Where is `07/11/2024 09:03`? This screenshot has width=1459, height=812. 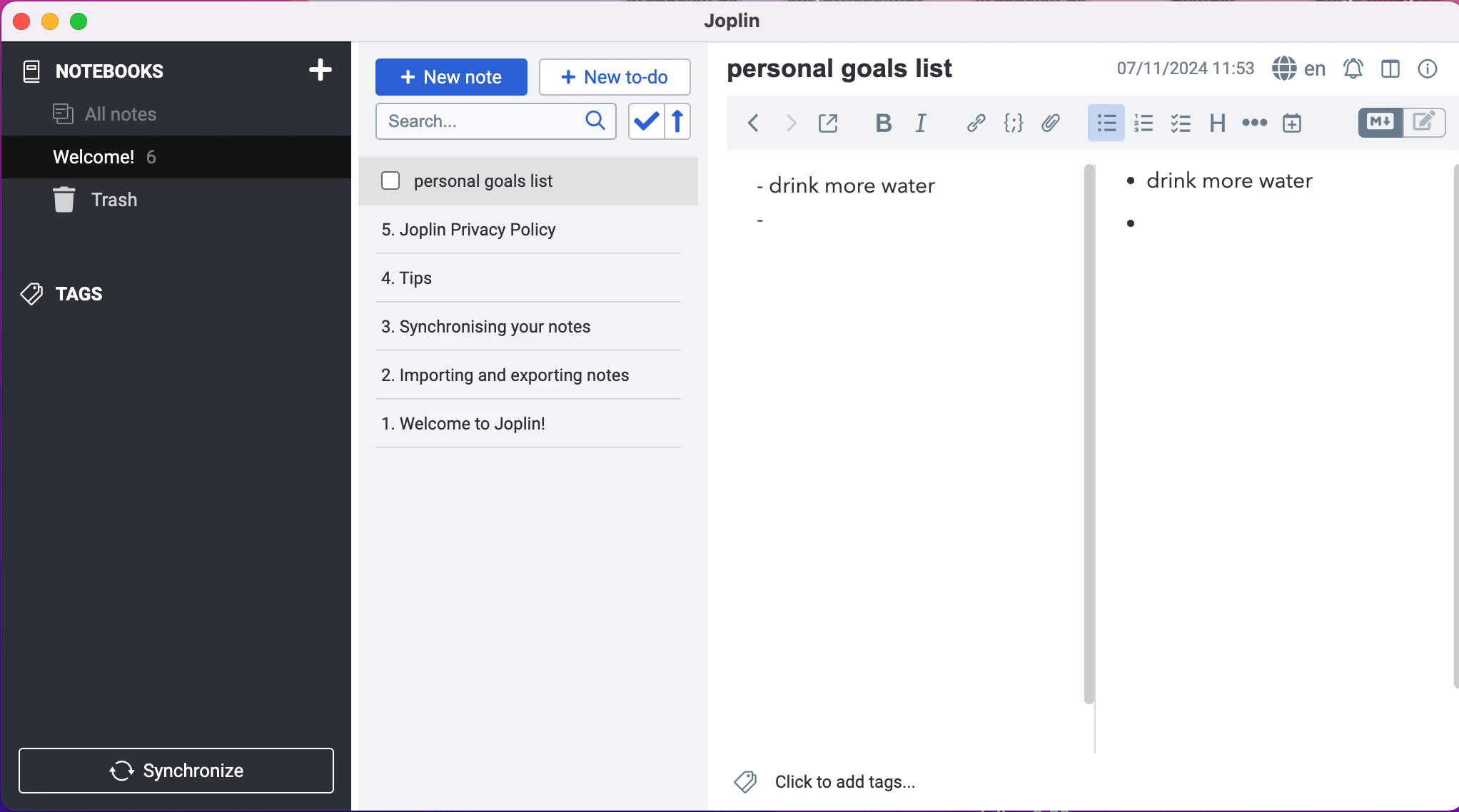 07/11/2024 09:03 is located at coordinates (1183, 66).